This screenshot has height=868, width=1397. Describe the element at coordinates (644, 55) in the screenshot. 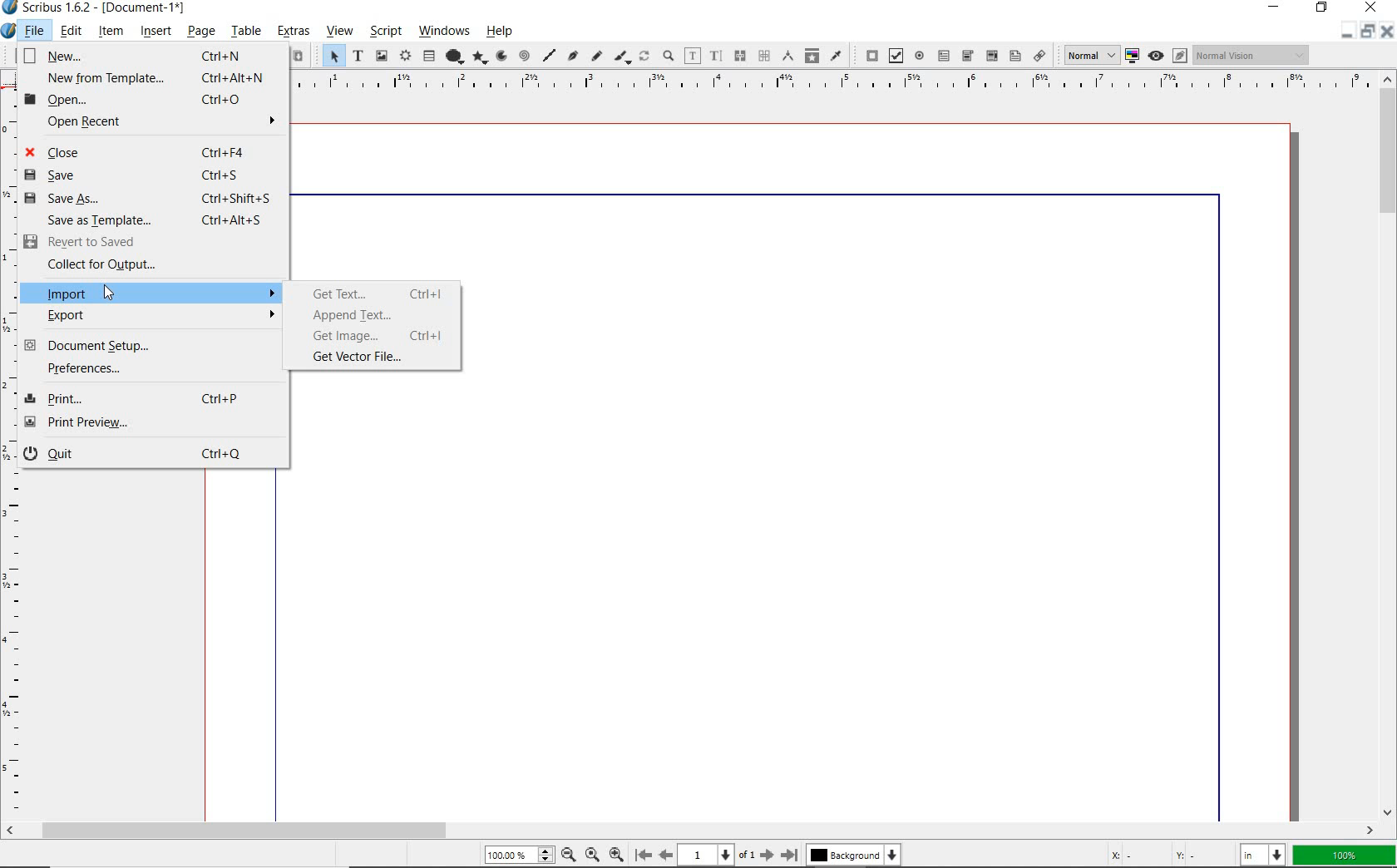

I see `rotate item` at that location.